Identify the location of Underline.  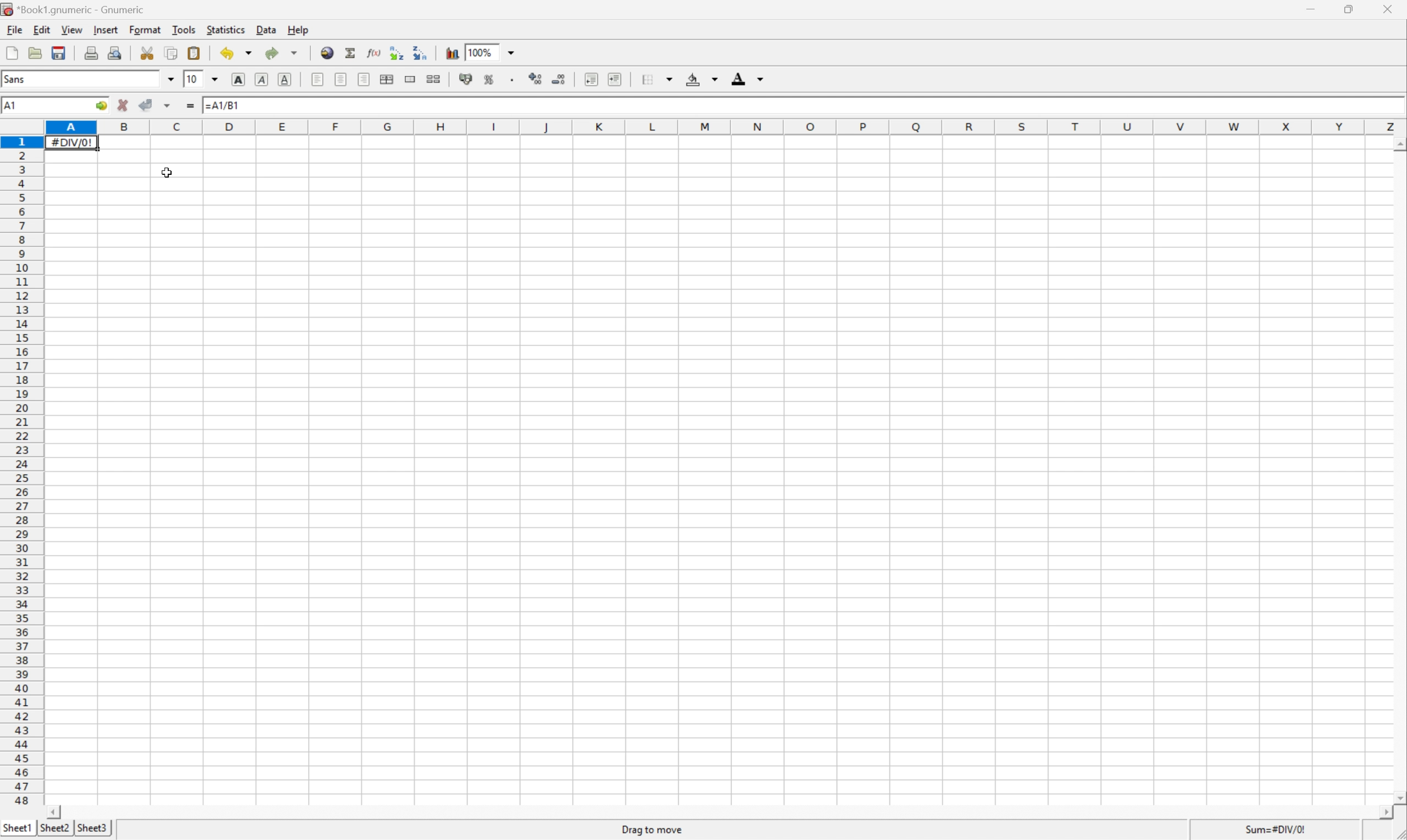
(287, 79).